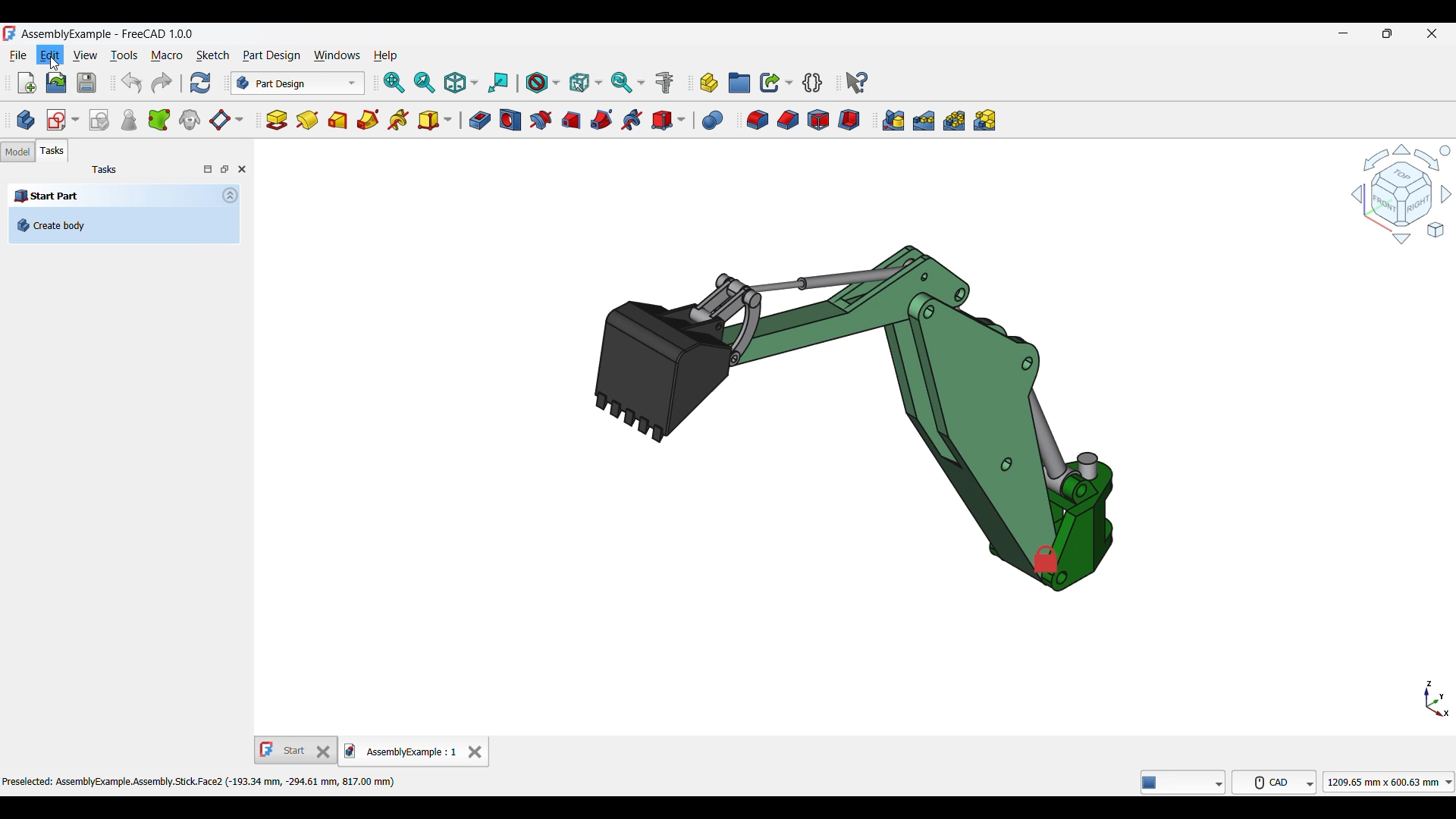 Image resolution: width=1456 pixels, height=819 pixels. I want to click on Validate sketch, so click(99, 120).